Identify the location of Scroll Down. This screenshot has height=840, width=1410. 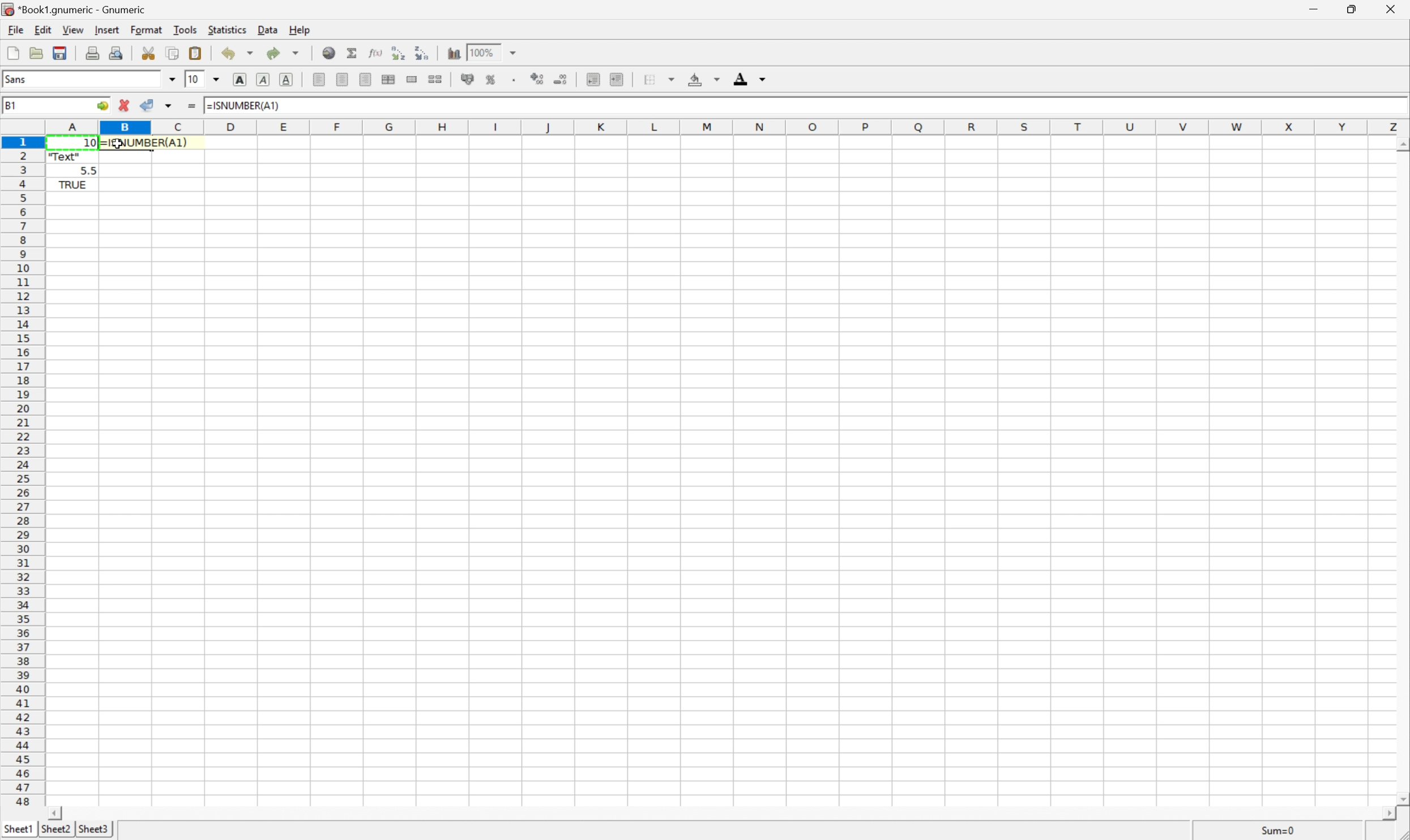
(1400, 145).